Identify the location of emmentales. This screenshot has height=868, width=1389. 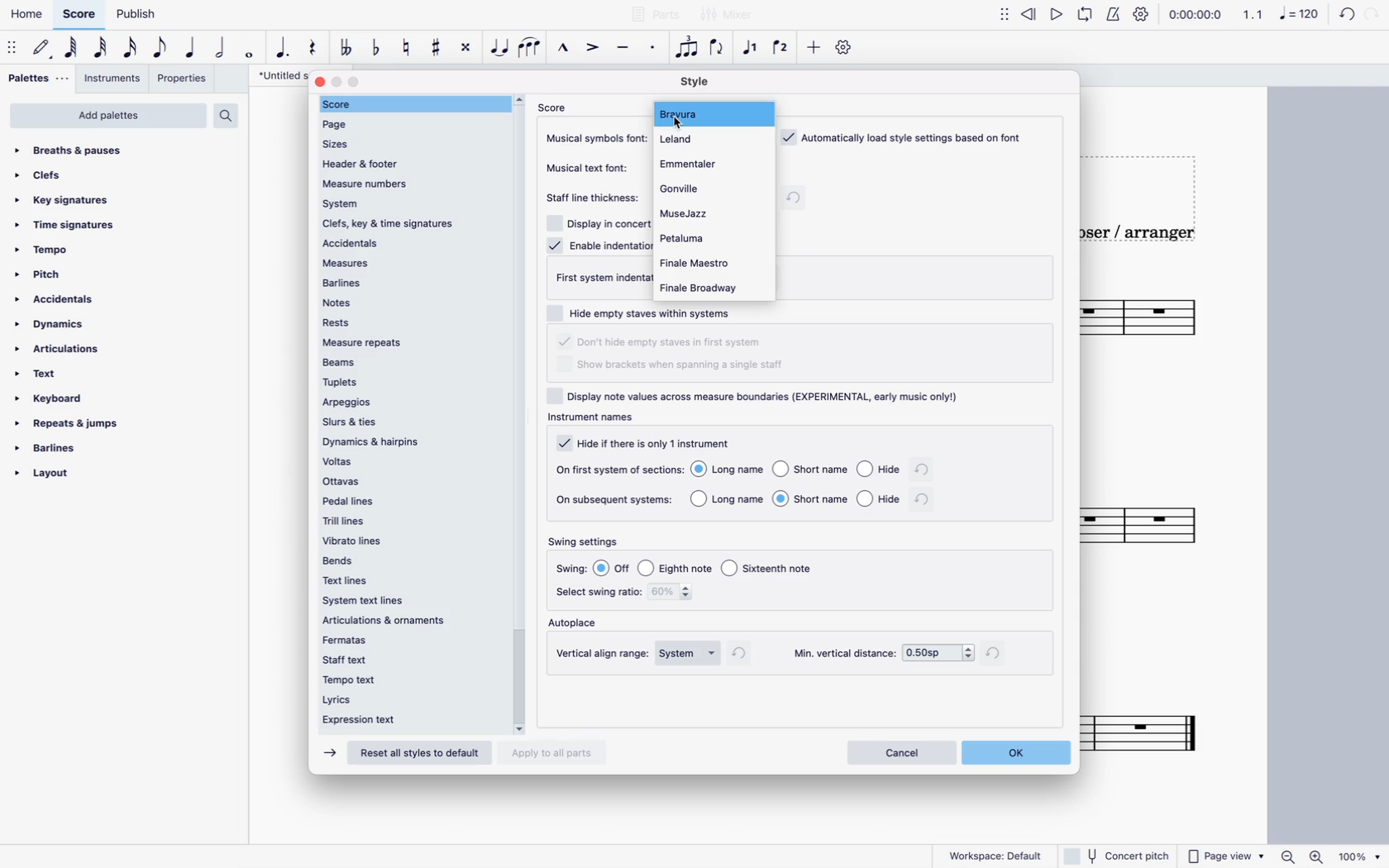
(709, 162).